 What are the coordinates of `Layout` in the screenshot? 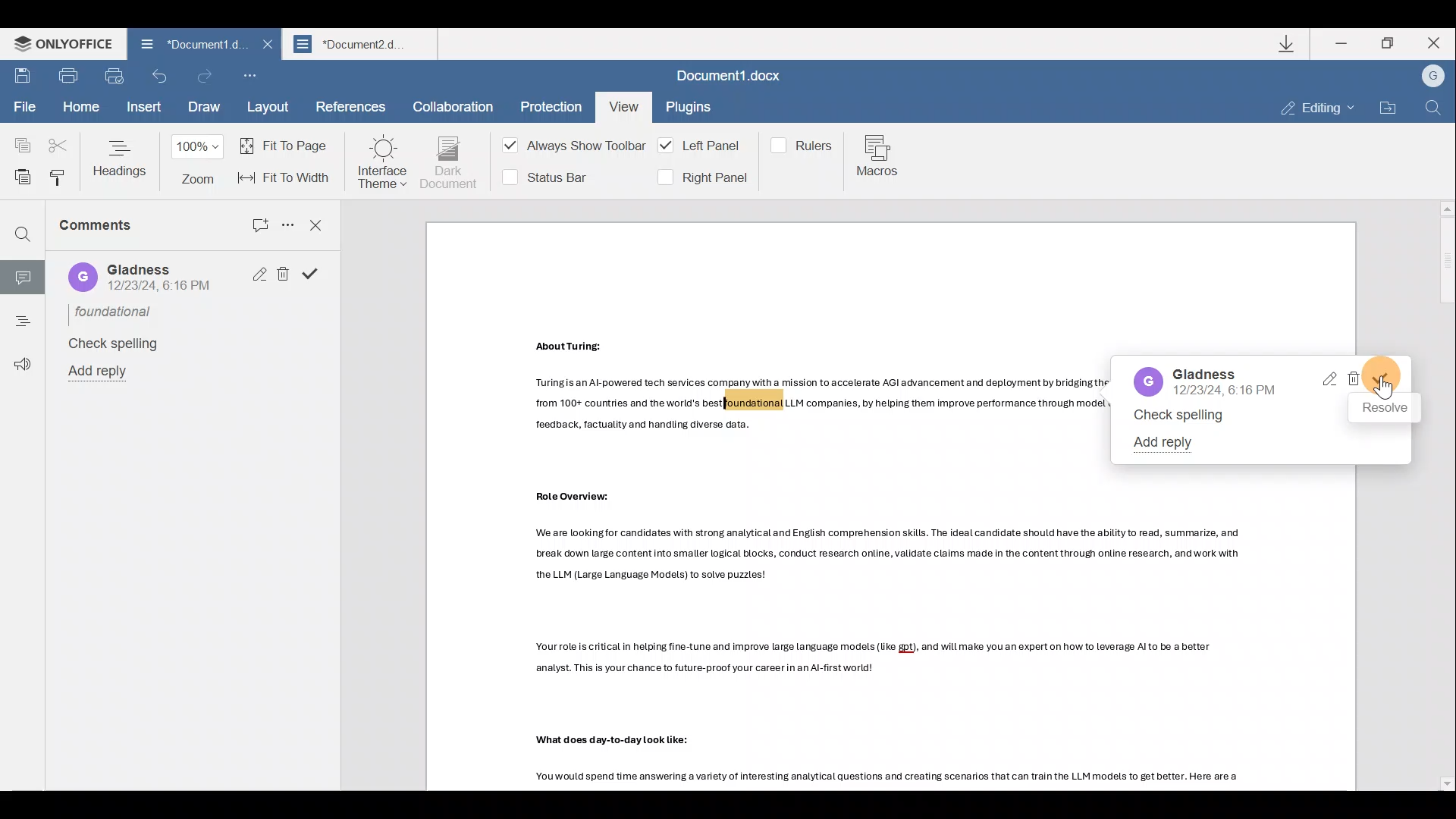 It's located at (269, 108).